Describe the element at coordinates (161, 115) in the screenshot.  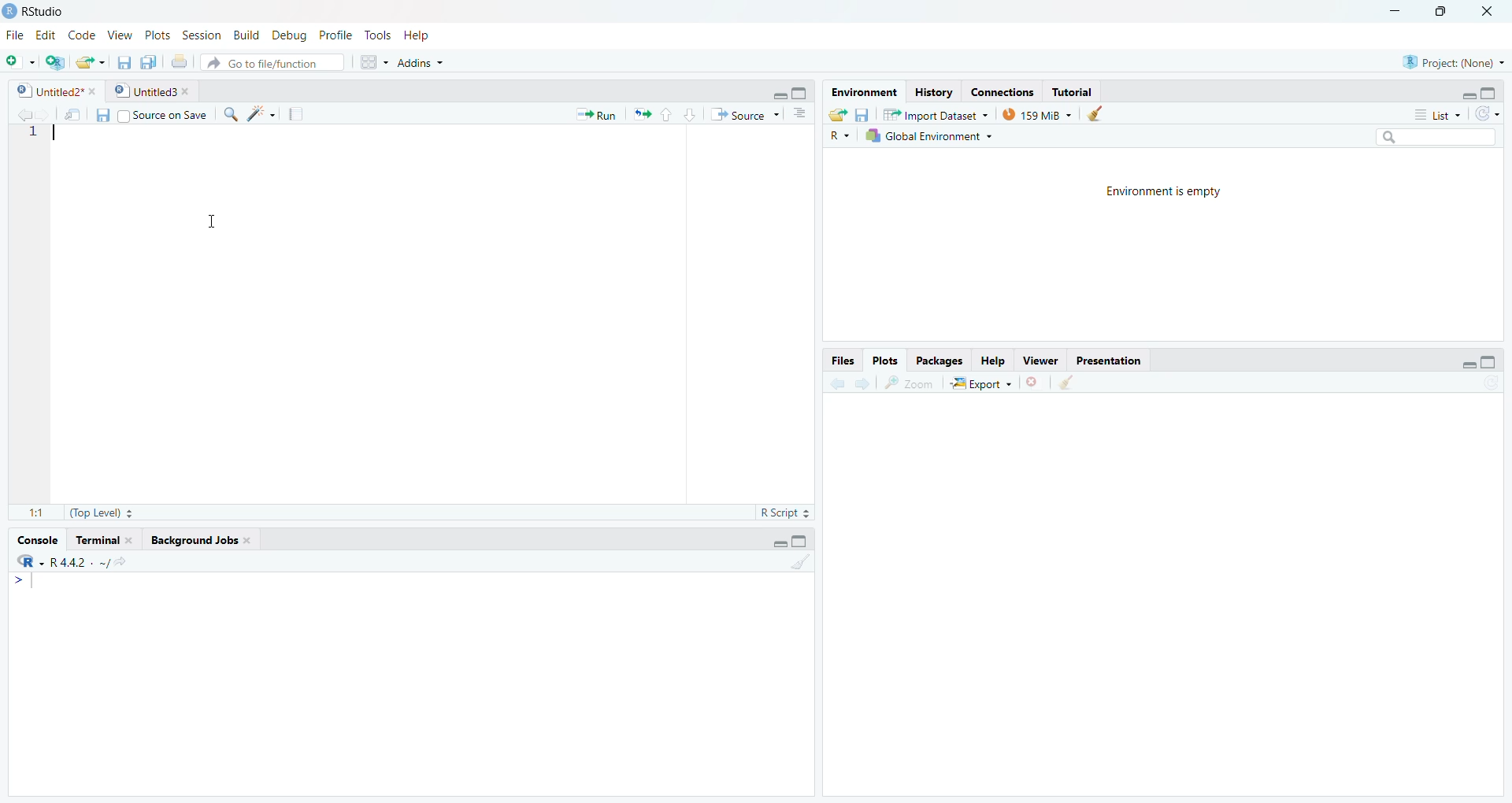
I see `Source on save` at that location.